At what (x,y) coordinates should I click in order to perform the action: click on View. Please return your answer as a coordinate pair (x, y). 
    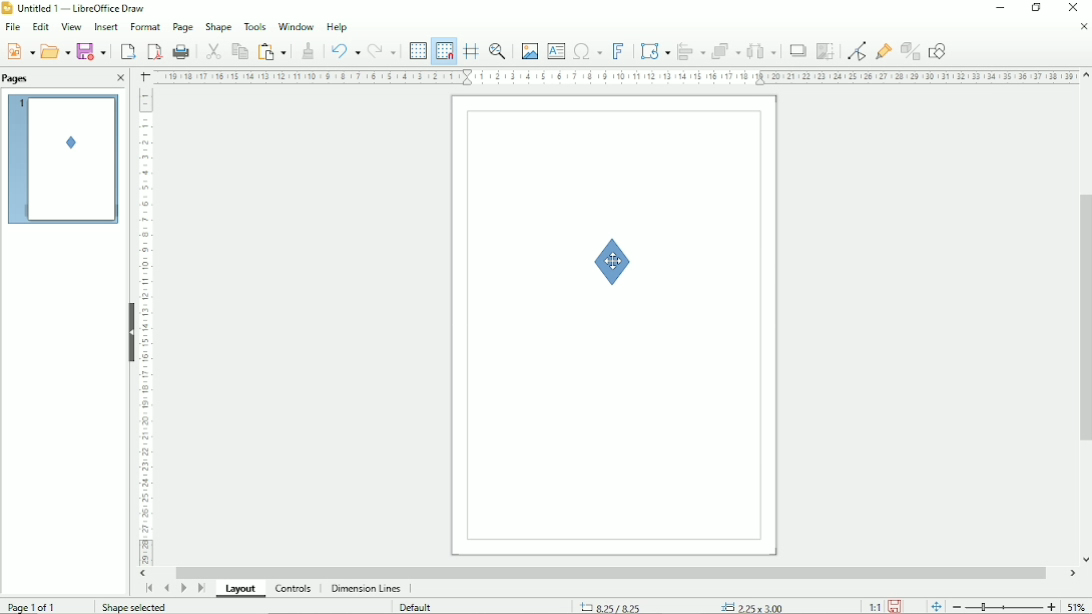
    Looking at the image, I should click on (71, 27).